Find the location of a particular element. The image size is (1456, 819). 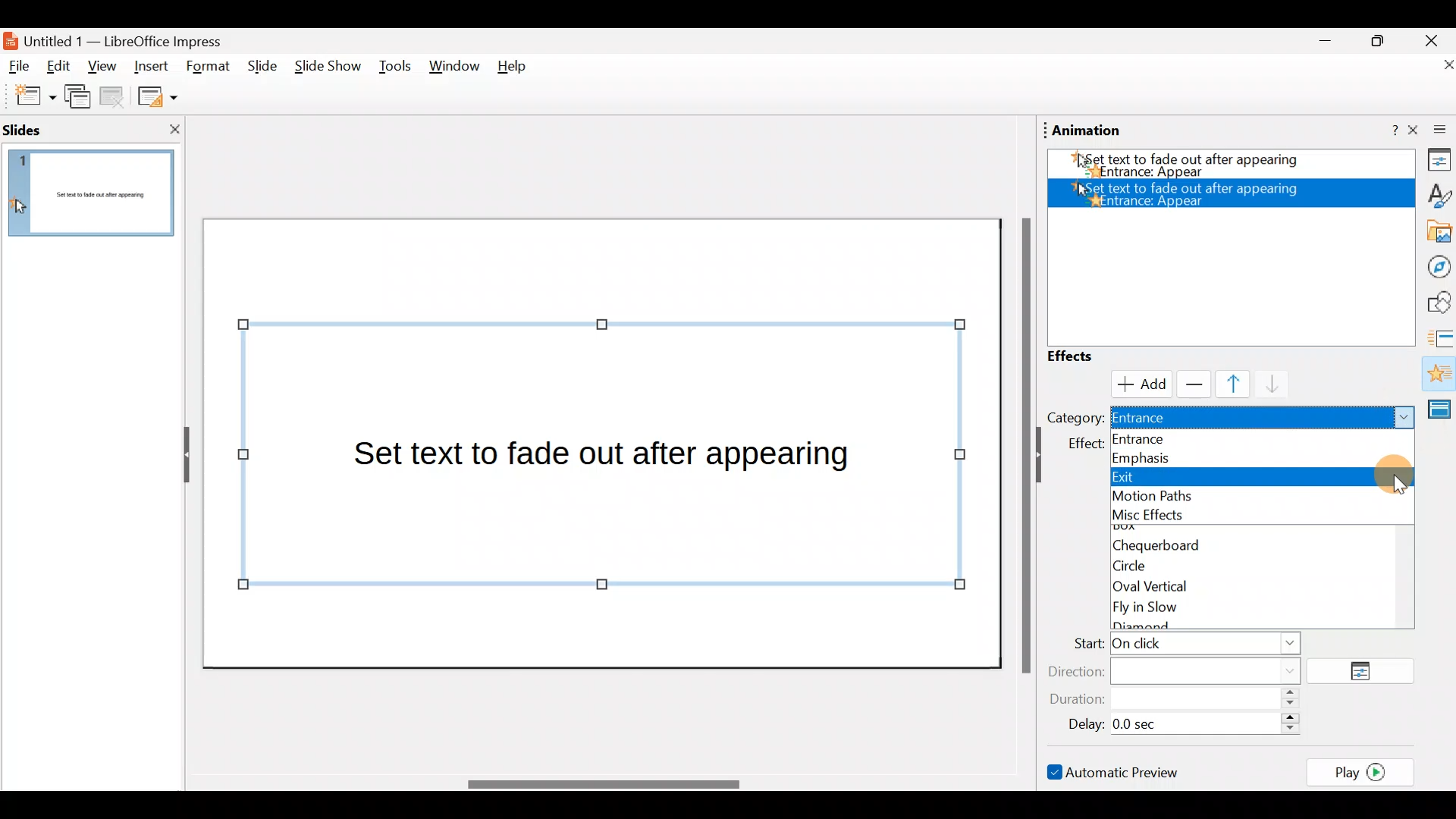

Properties is located at coordinates (1435, 162).